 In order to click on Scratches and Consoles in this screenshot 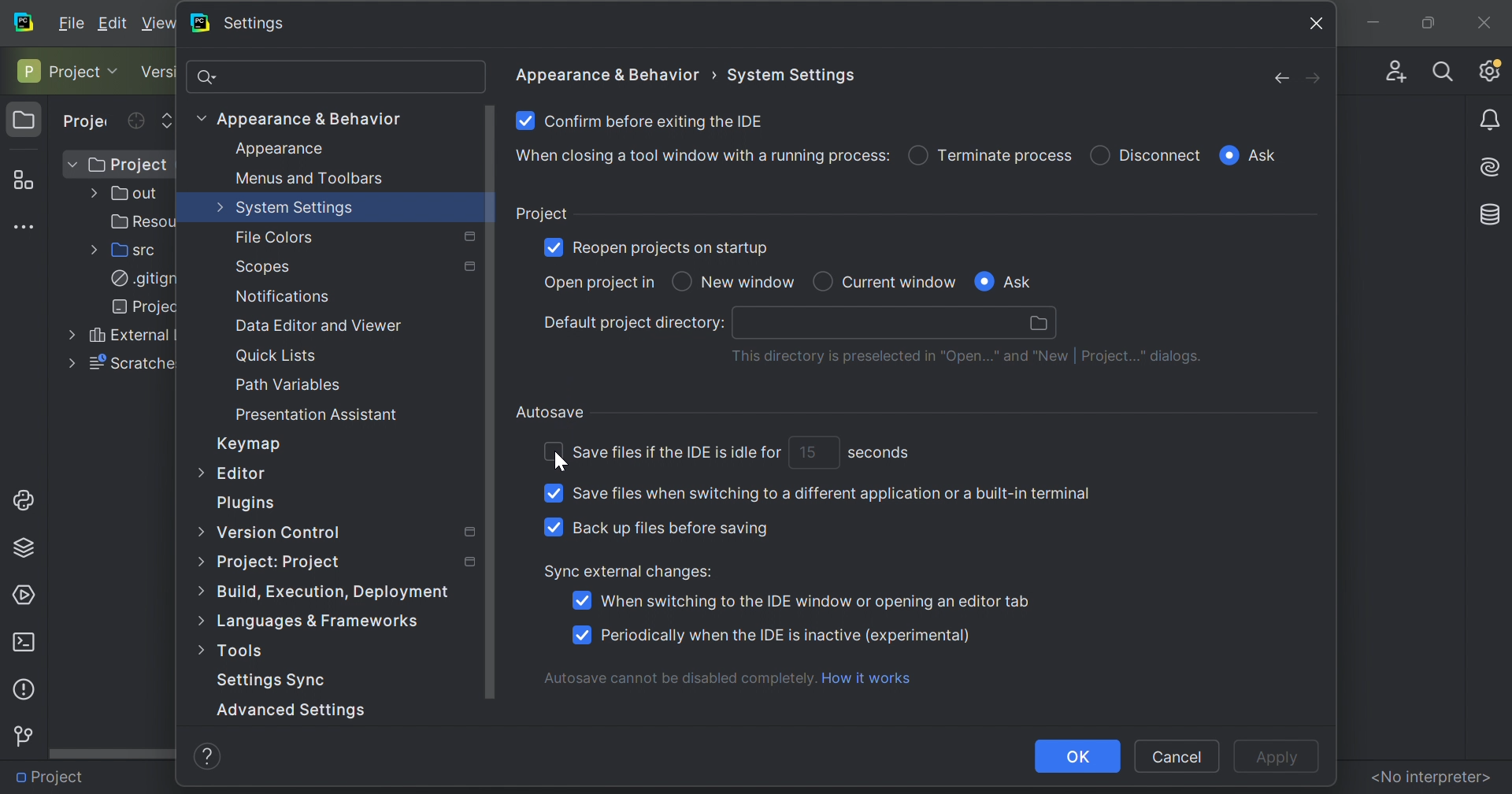, I will do `click(128, 363)`.